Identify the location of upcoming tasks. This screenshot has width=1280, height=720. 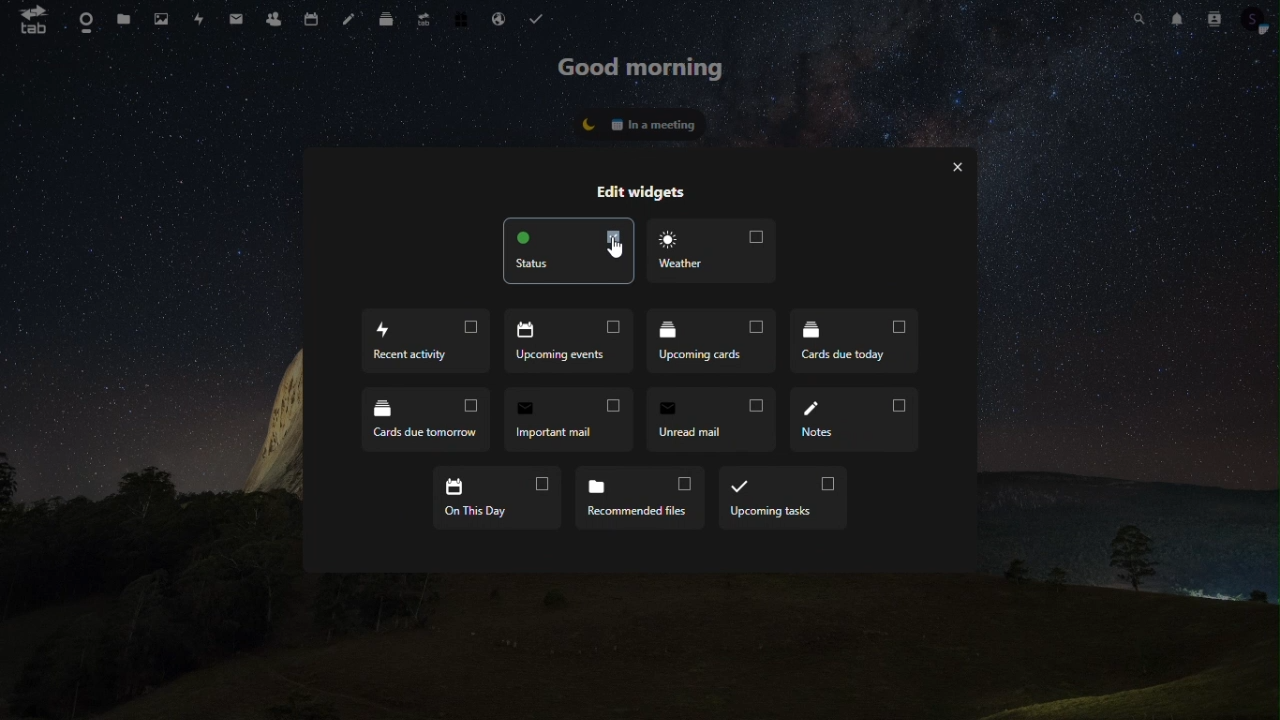
(784, 496).